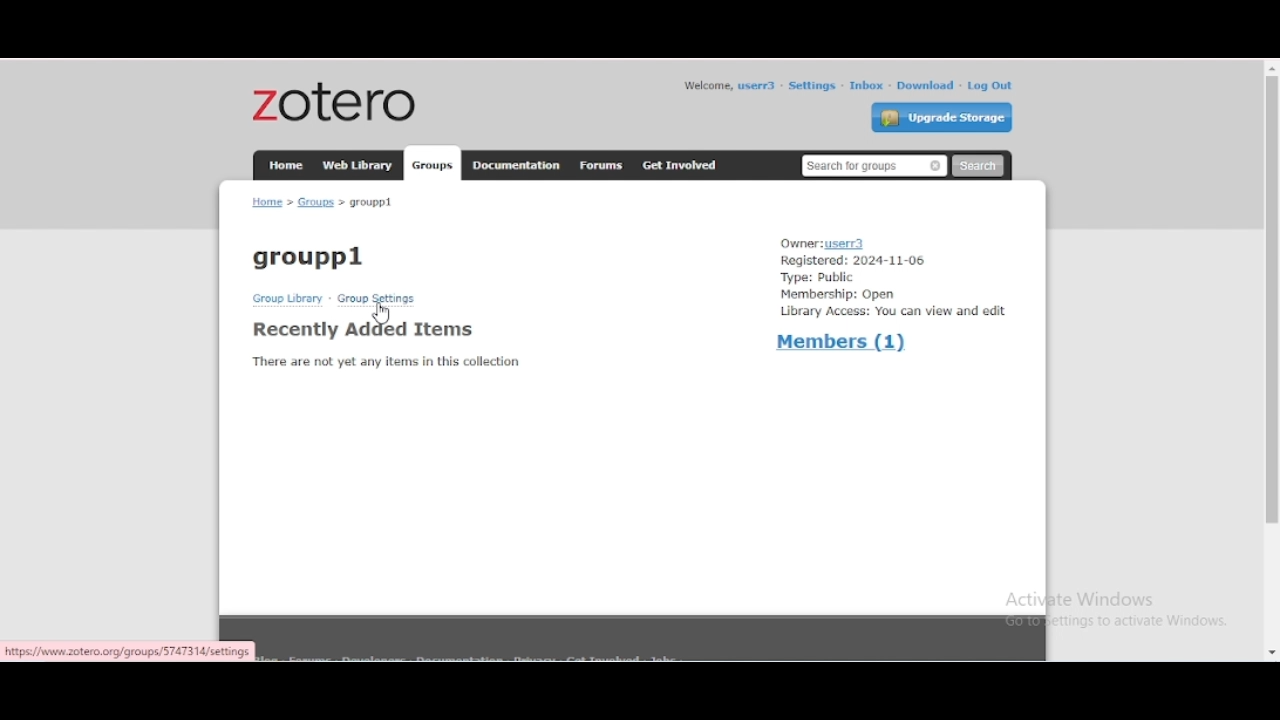 This screenshot has width=1280, height=720. What do you see at coordinates (335, 101) in the screenshot?
I see `zotero` at bounding box center [335, 101].